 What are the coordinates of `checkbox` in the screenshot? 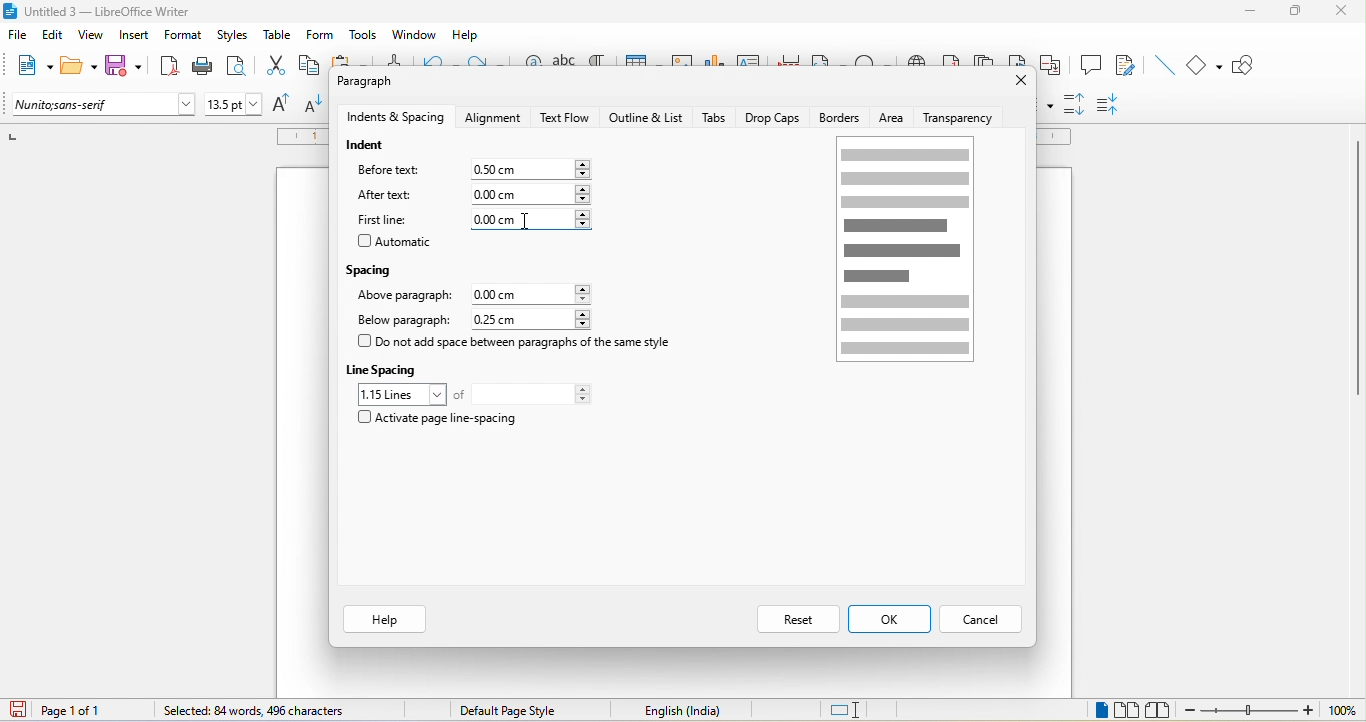 It's located at (363, 341).